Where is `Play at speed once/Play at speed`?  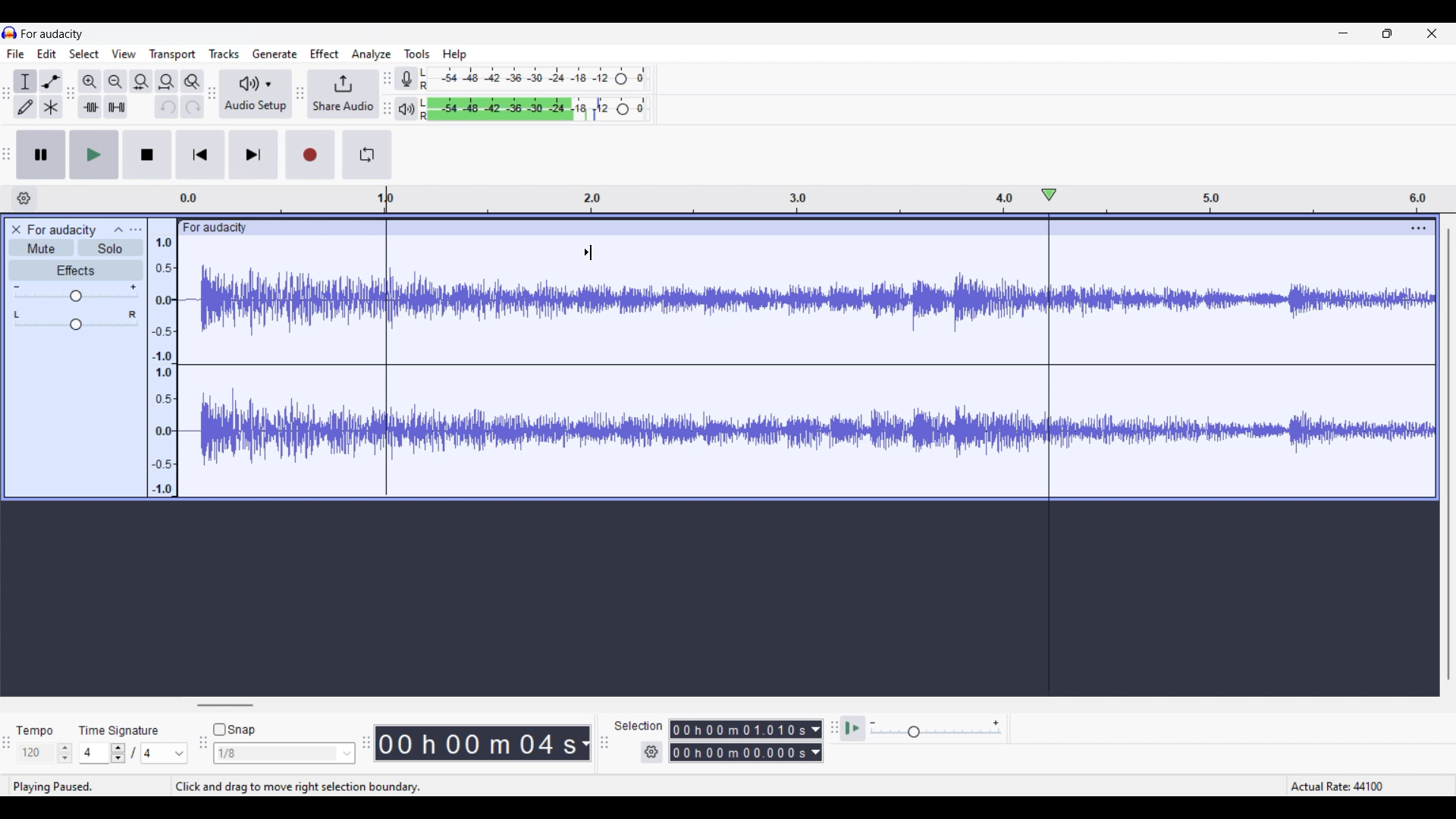 Play at speed once/Play at speed is located at coordinates (853, 729).